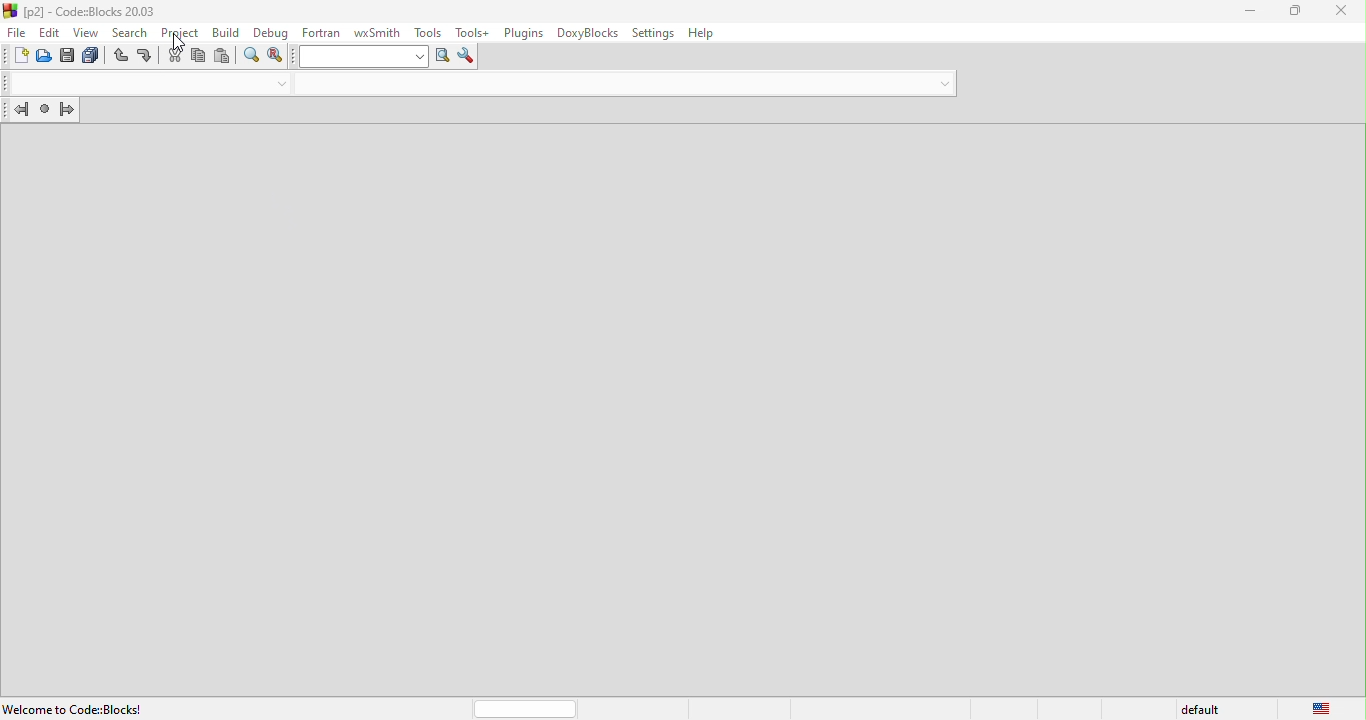 This screenshot has width=1366, height=720. What do you see at coordinates (1296, 10) in the screenshot?
I see `maximize` at bounding box center [1296, 10].